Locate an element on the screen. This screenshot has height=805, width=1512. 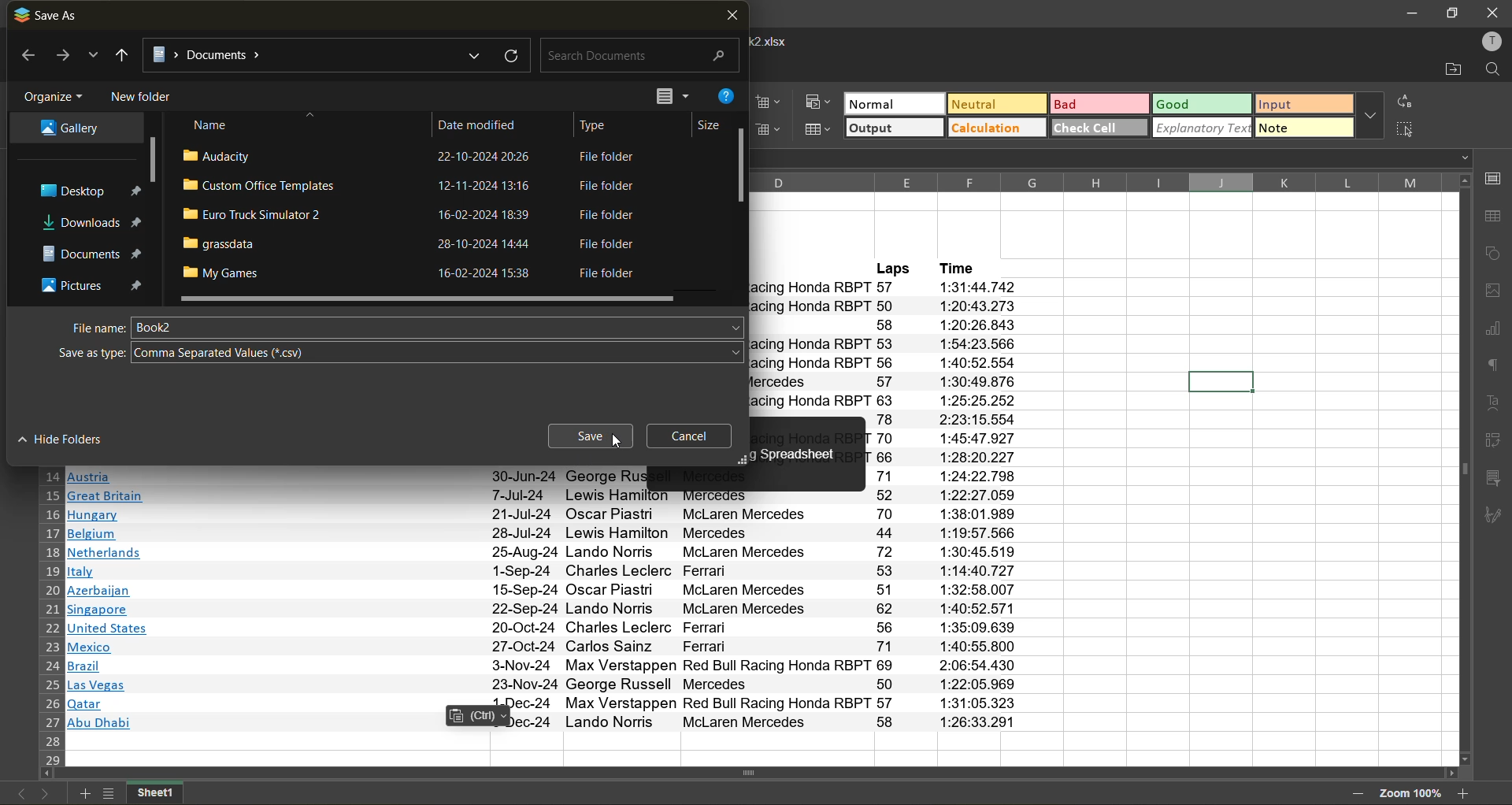
file is located at coordinates (413, 216).